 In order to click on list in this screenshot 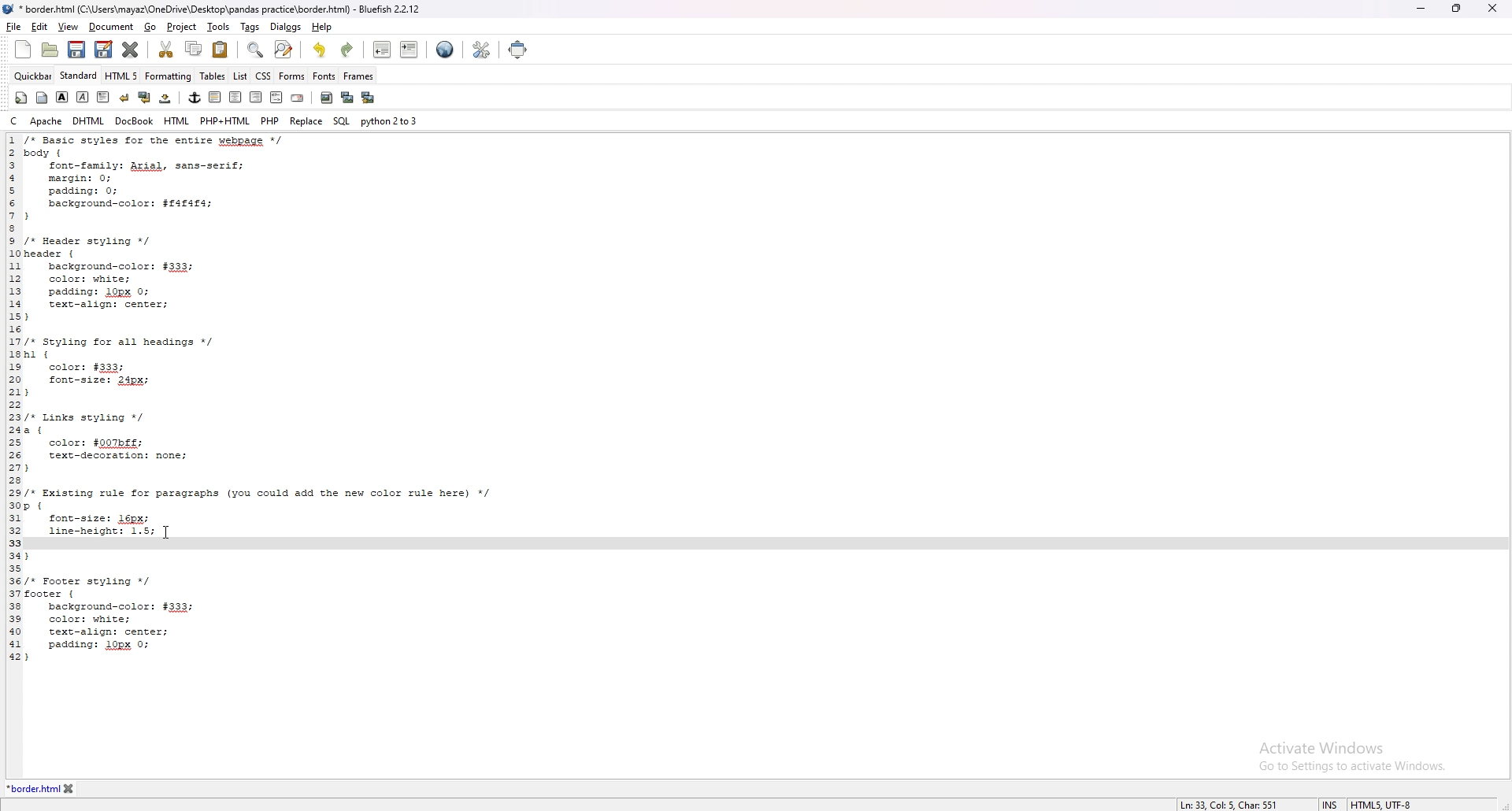, I will do `click(242, 76)`.